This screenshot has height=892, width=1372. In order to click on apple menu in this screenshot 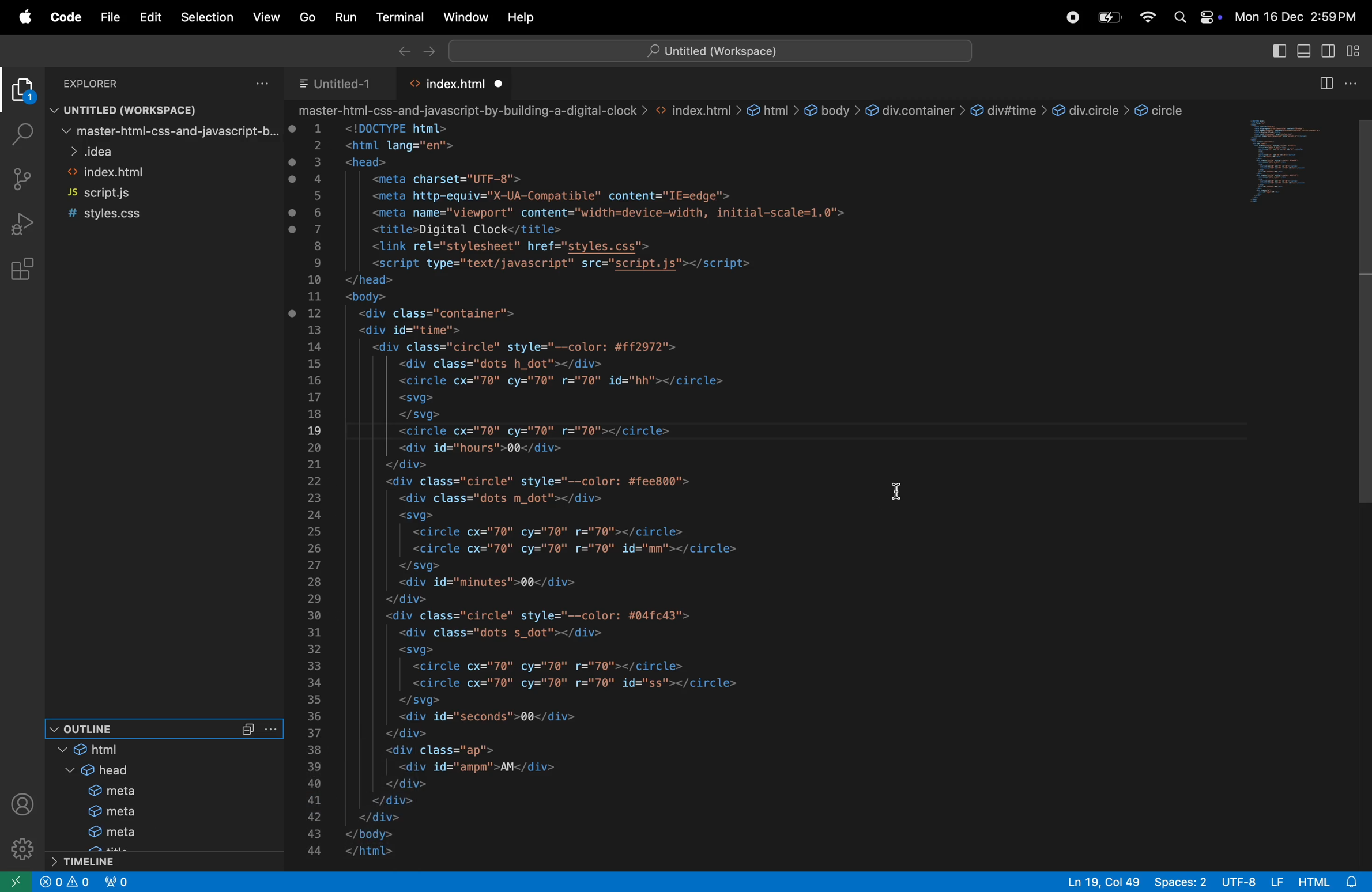, I will do `click(20, 17)`.